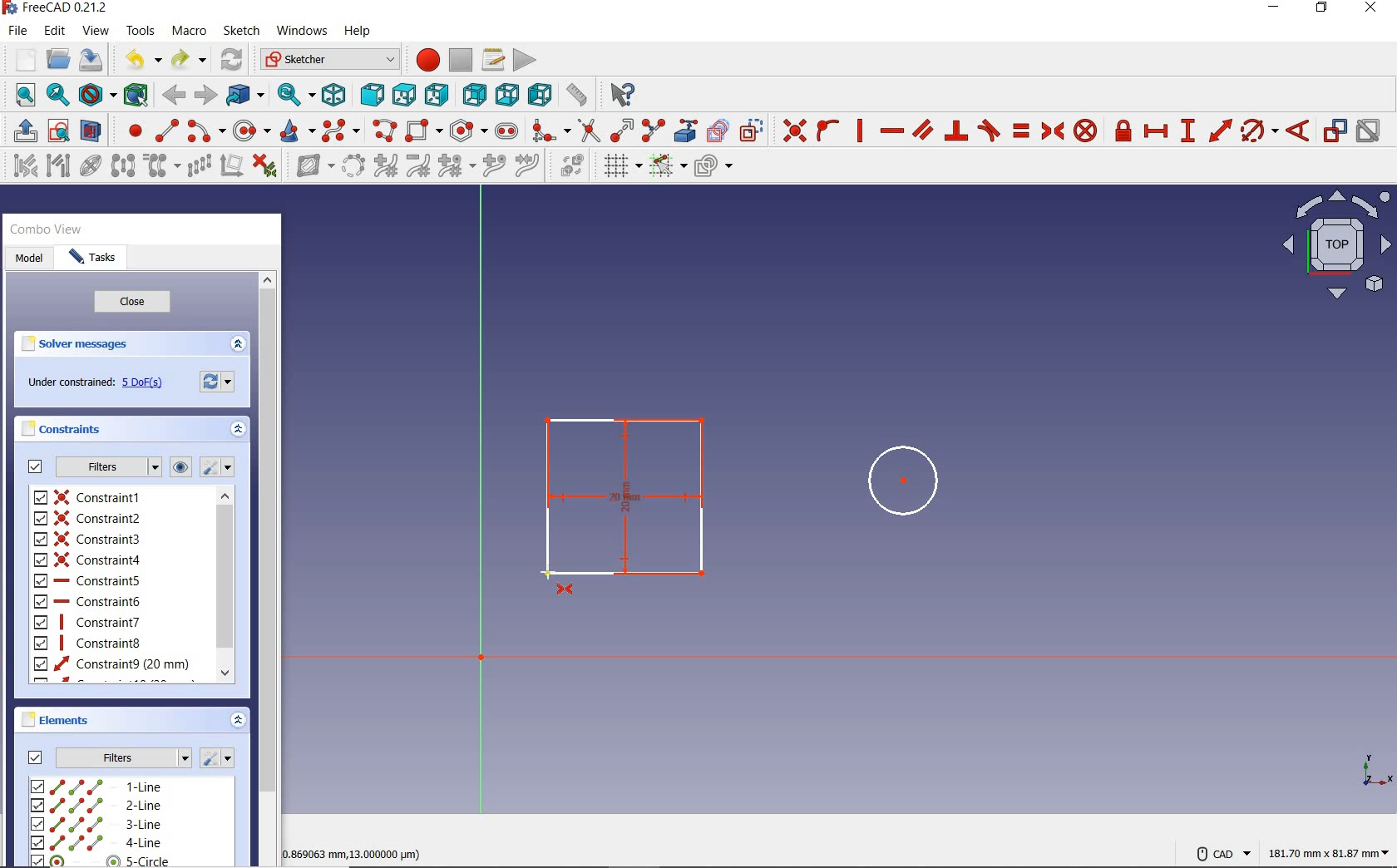 The height and width of the screenshot is (868, 1397). What do you see at coordinates (95, 94) in the screenshot?
I see `draw style` at bounding box center [95, 94].